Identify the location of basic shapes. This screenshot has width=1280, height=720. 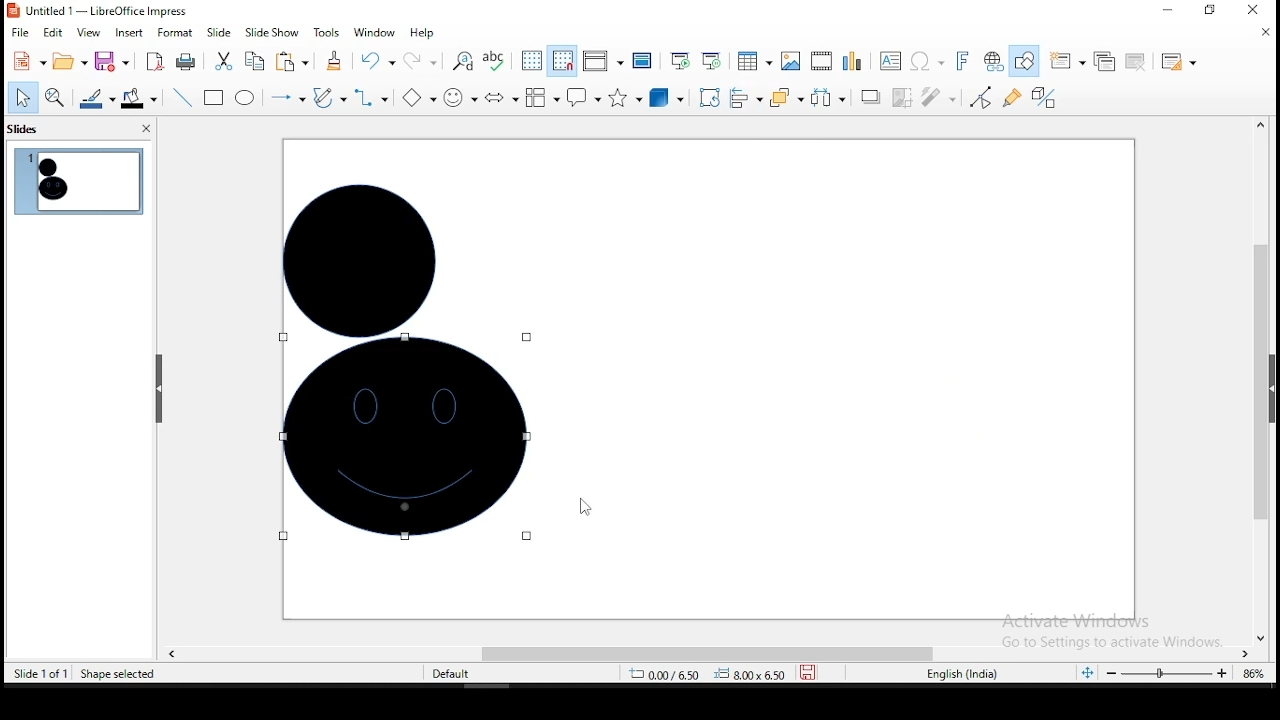
(416, 97).